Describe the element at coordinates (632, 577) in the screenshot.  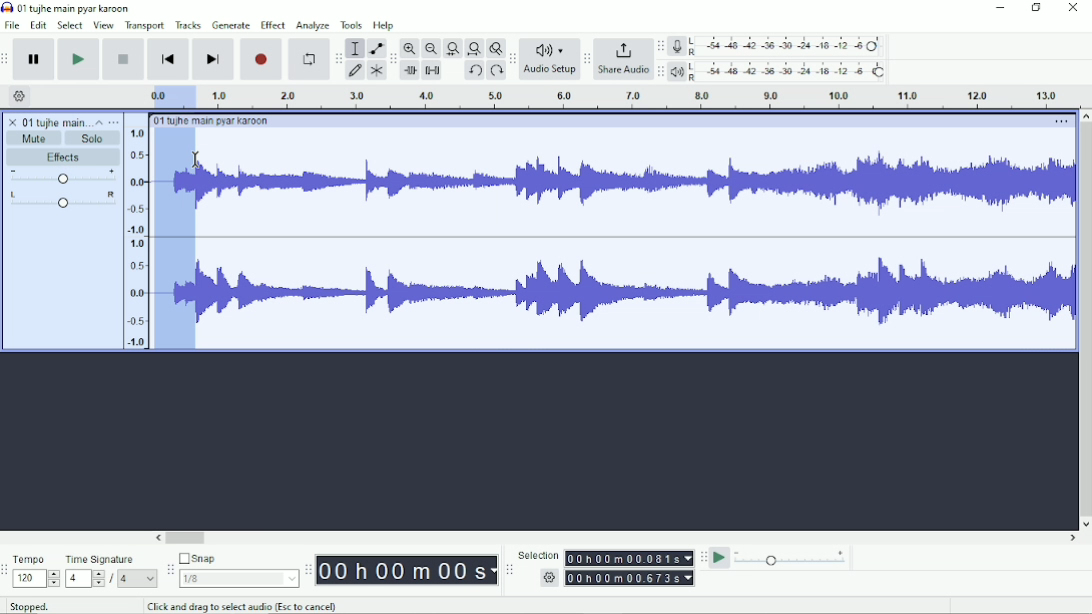
I see `00 h 00 m 00.673s` at that location.